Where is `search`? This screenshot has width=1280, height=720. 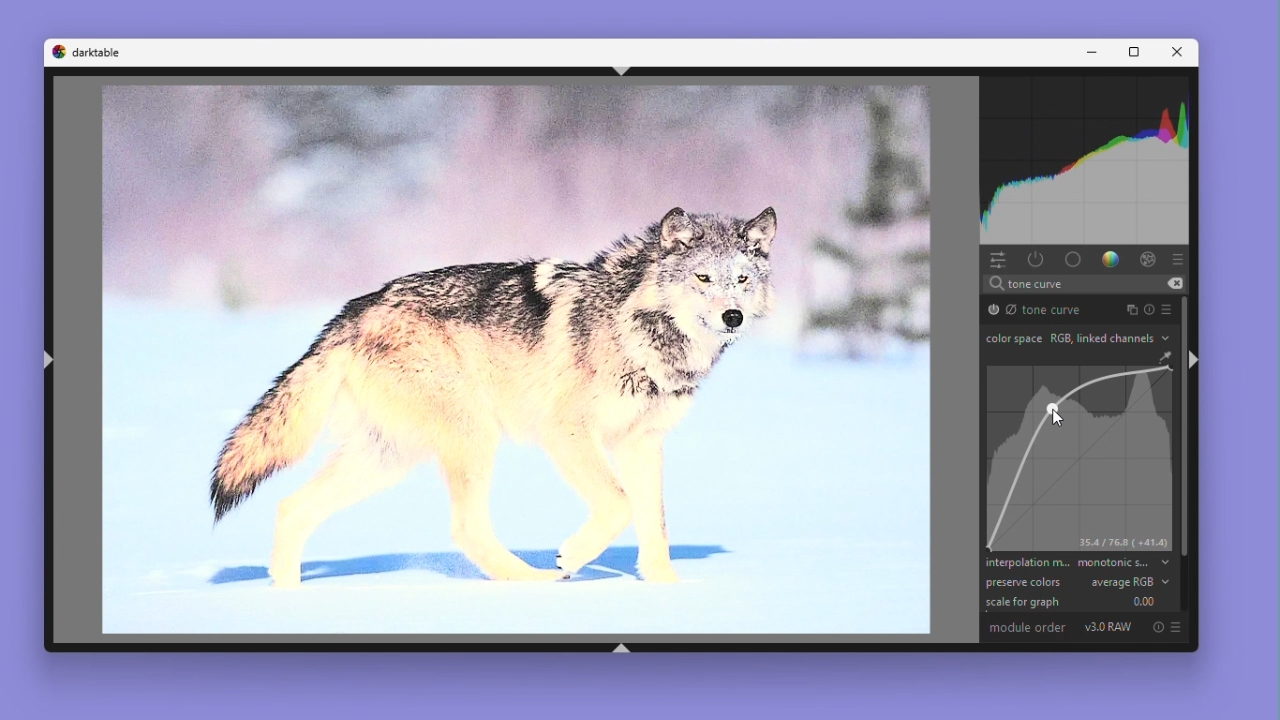 search is located at coordinates (995, 284).